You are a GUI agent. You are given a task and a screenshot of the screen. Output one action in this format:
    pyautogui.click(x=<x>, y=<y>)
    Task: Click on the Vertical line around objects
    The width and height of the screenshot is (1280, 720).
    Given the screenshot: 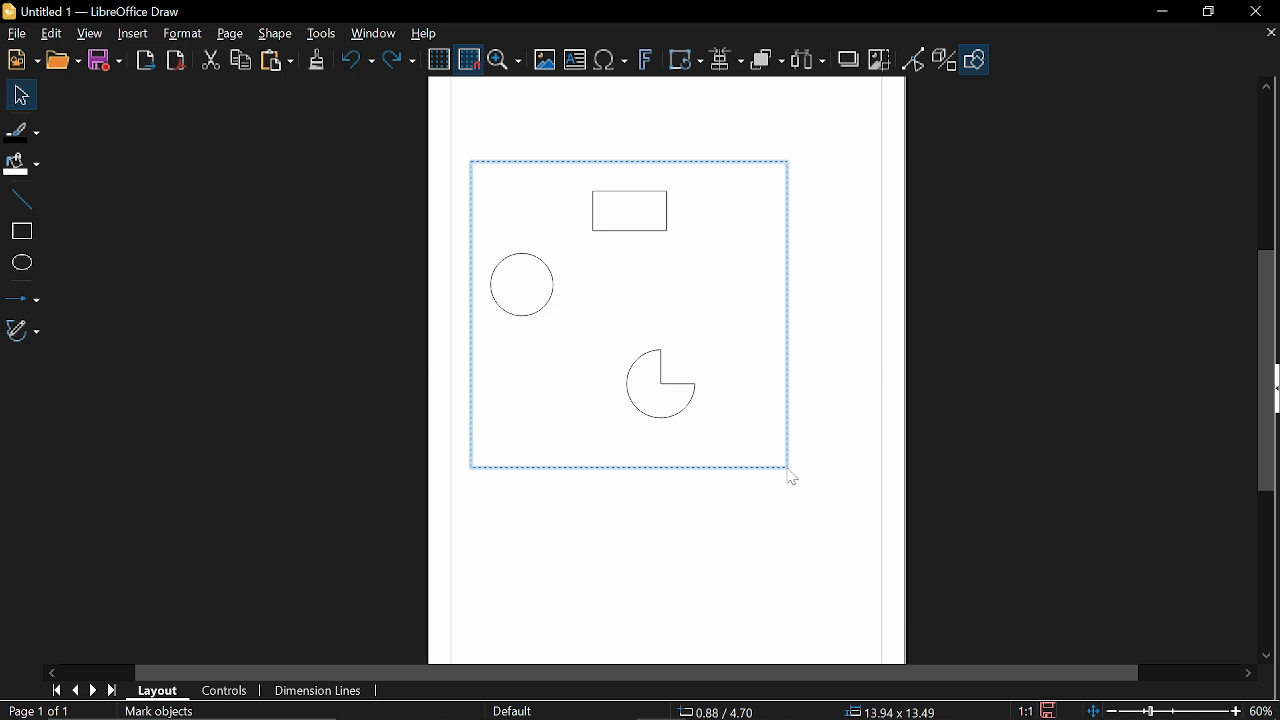 What is the action you would take?
    pyautogui.click(x=466, y=315)
    